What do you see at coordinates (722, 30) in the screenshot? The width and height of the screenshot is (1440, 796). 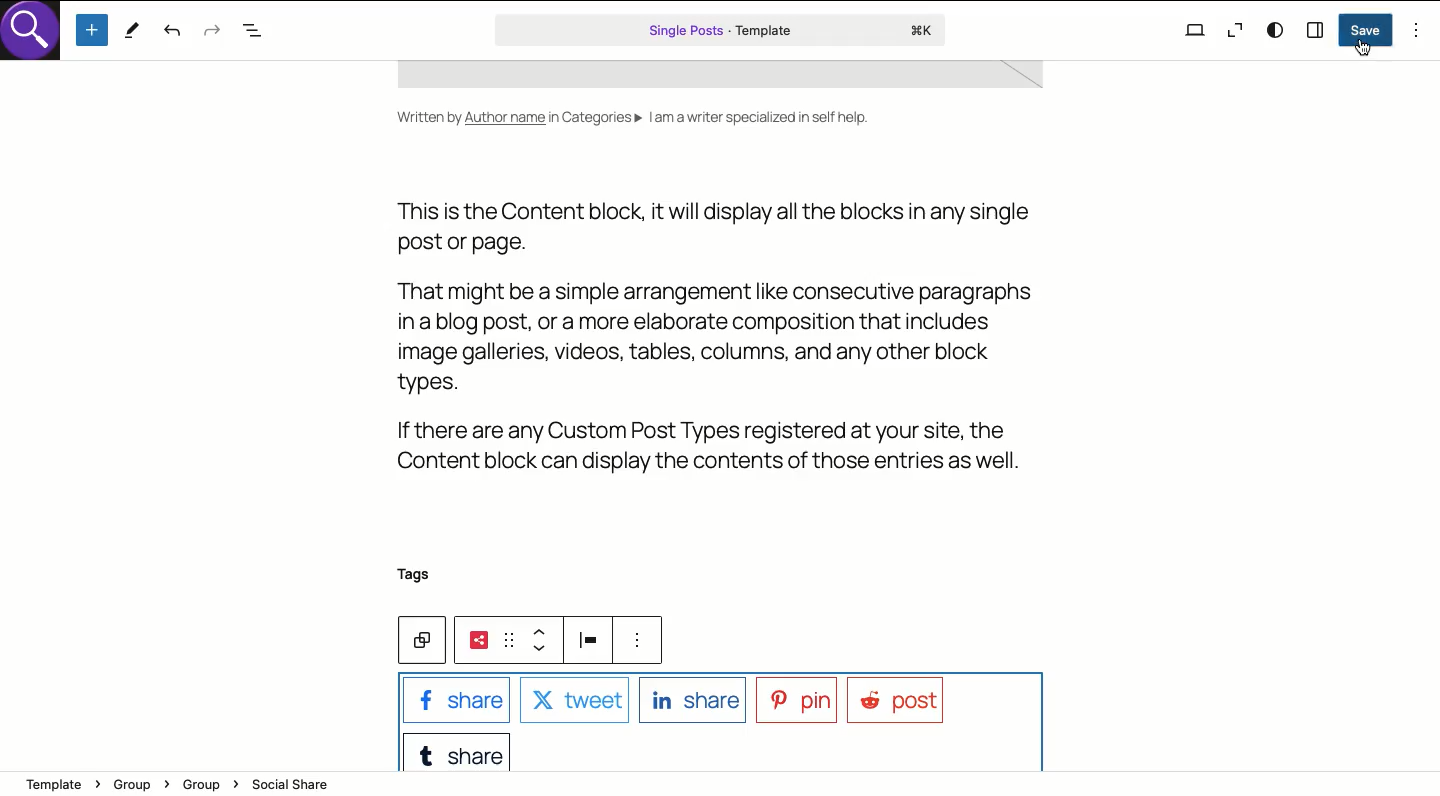 I see `Single posts template` at bounding box center [722, 30].